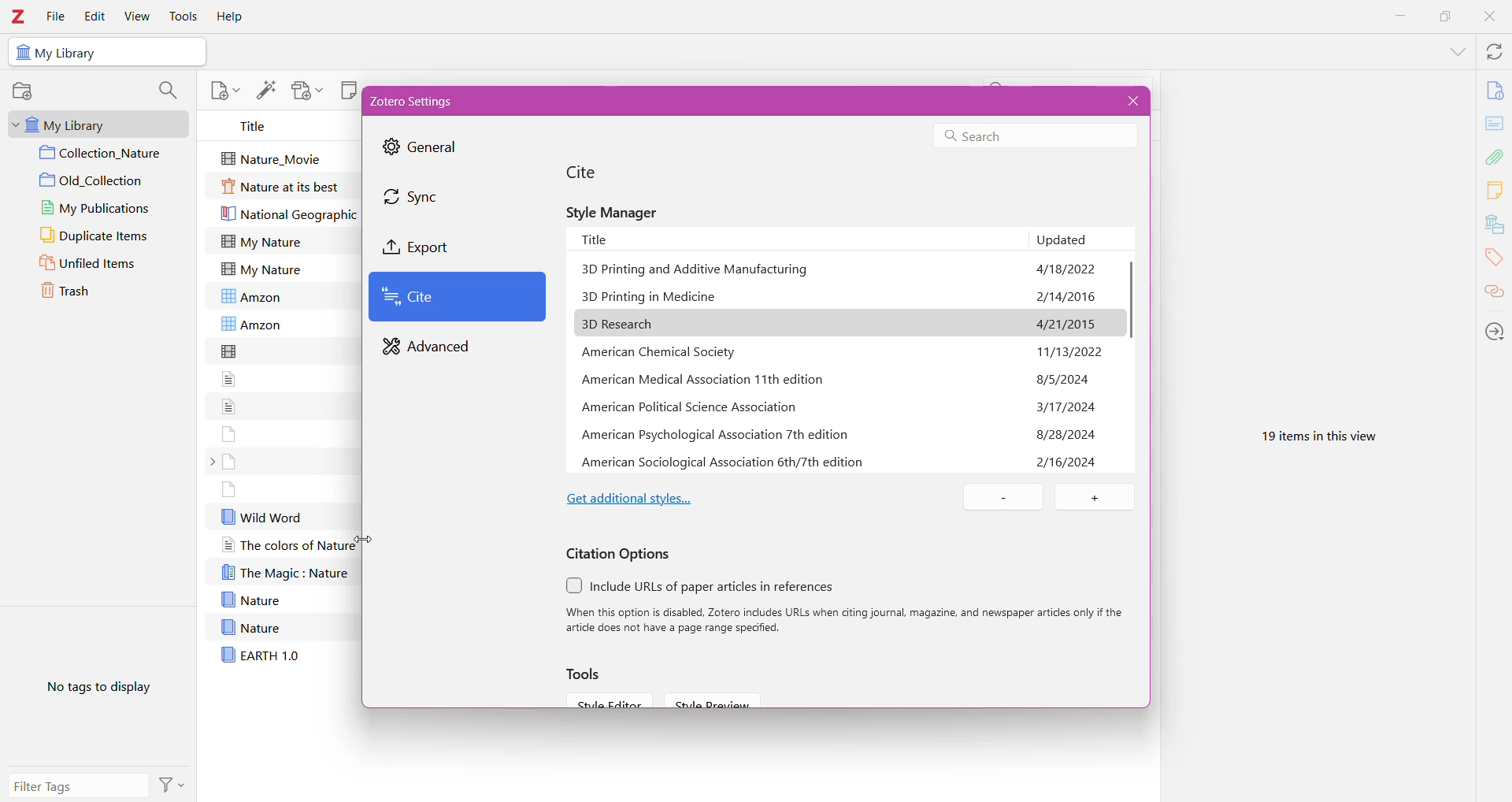 This screenshot has height=802, width=1512. I want to click on Info, so click(1495, 90).